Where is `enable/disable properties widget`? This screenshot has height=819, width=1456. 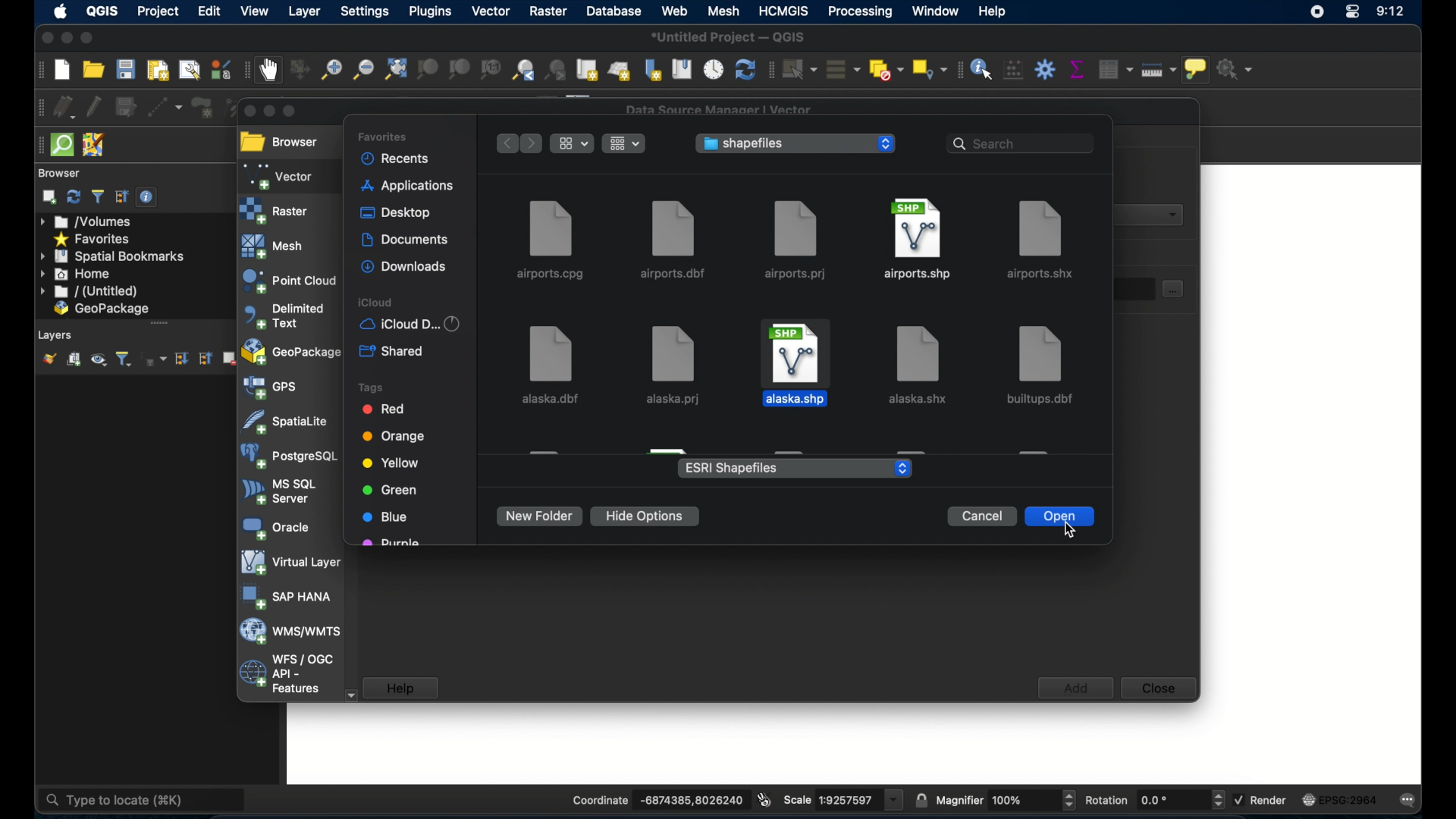
enable/disable properties widget is located at coordinates (149, 199).